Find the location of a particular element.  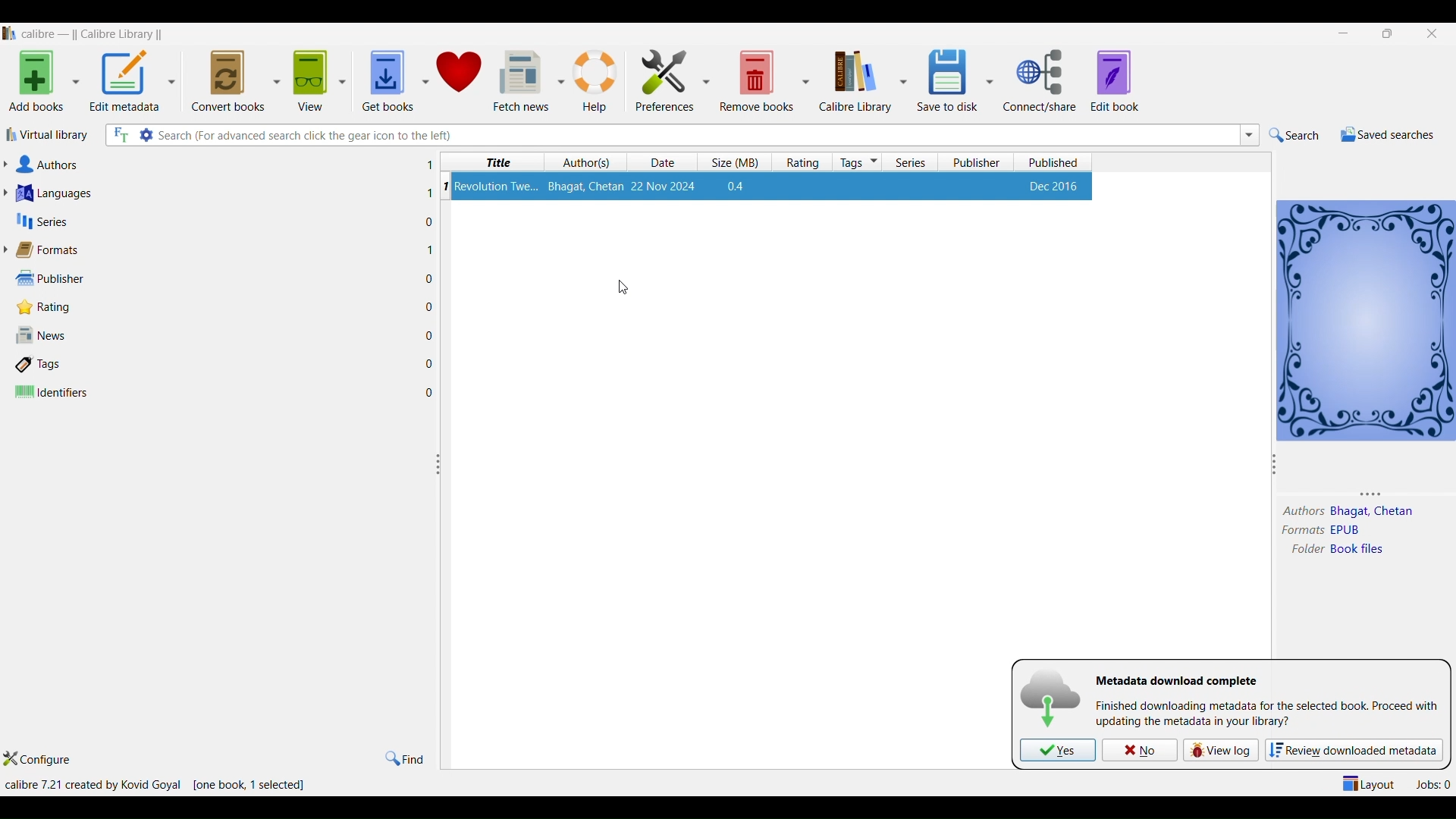

configure is located at coordinates (46, 758).